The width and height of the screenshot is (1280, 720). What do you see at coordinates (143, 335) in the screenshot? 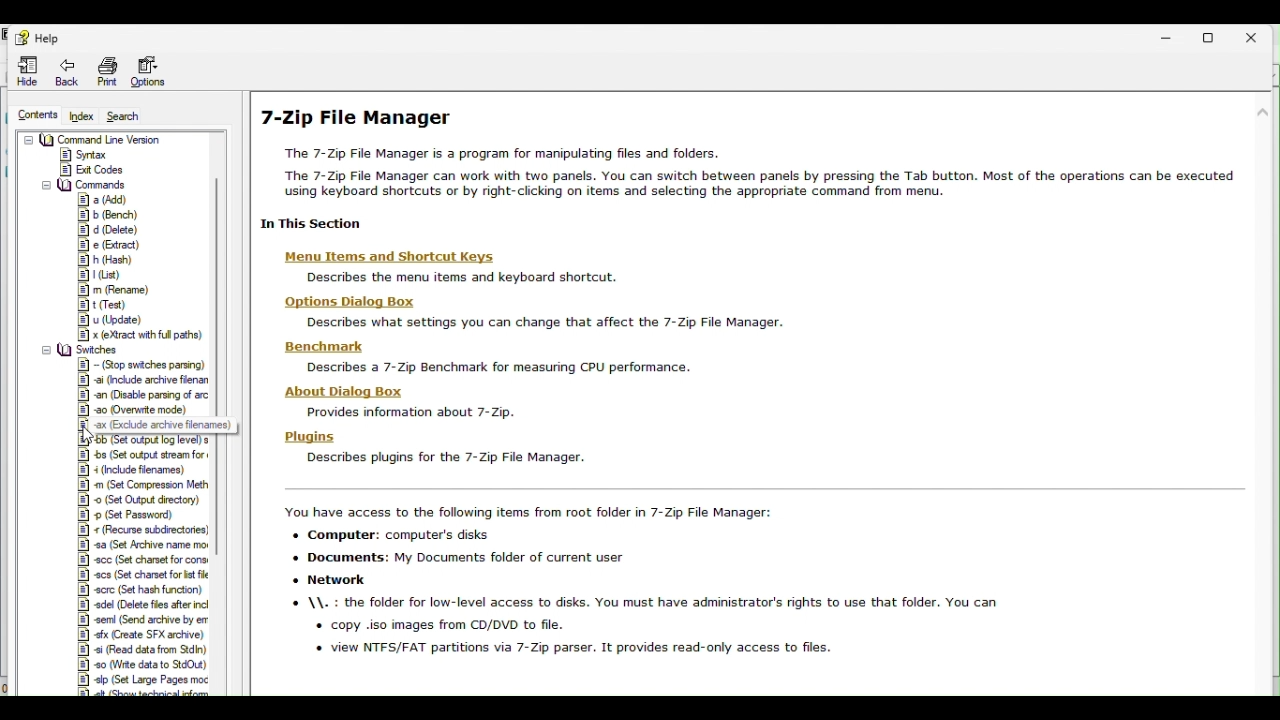
I see `#] x (extract with full paths)` at bounding box center [143, 335].